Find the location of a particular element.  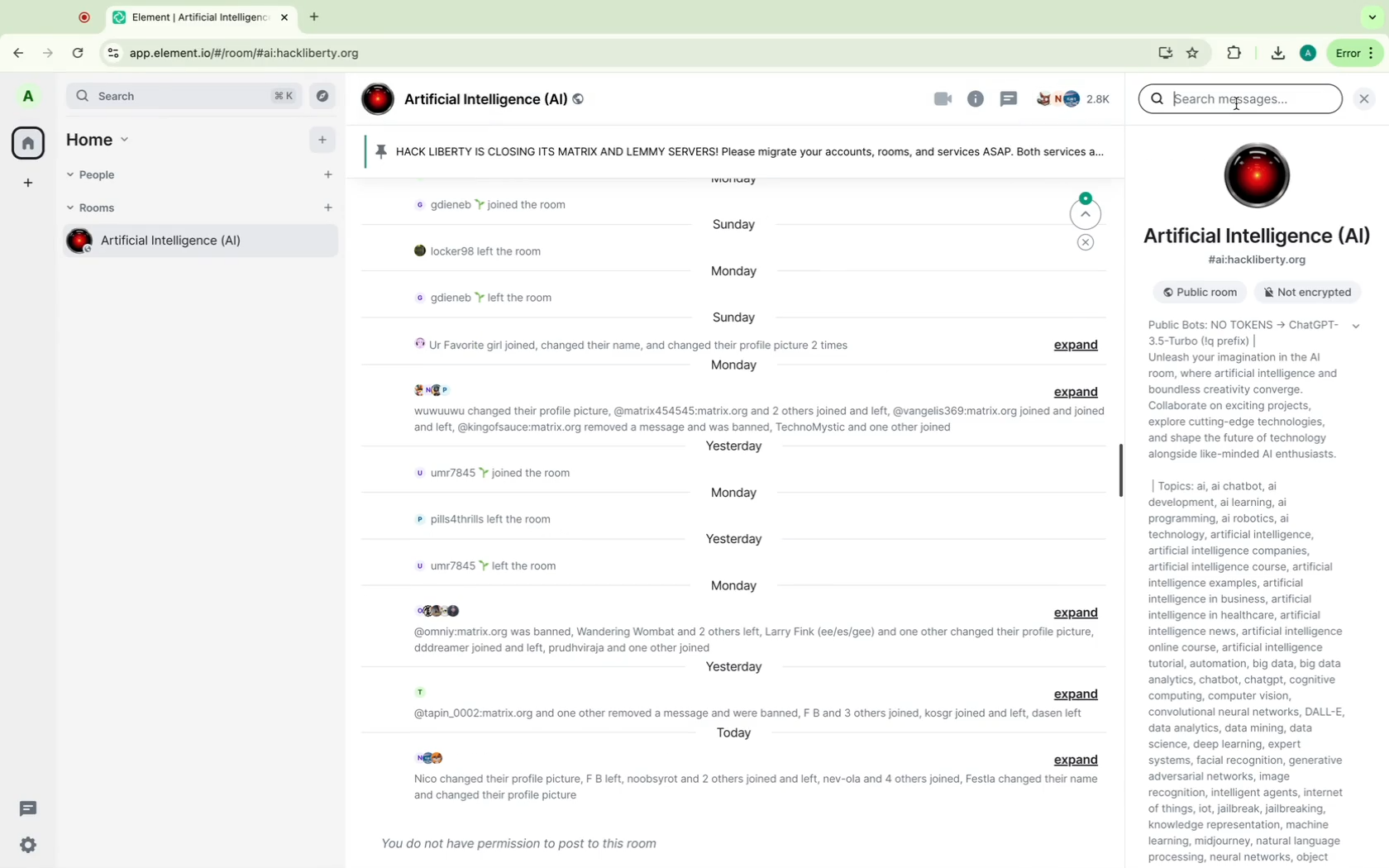

day is located at coordinates (733, 366).